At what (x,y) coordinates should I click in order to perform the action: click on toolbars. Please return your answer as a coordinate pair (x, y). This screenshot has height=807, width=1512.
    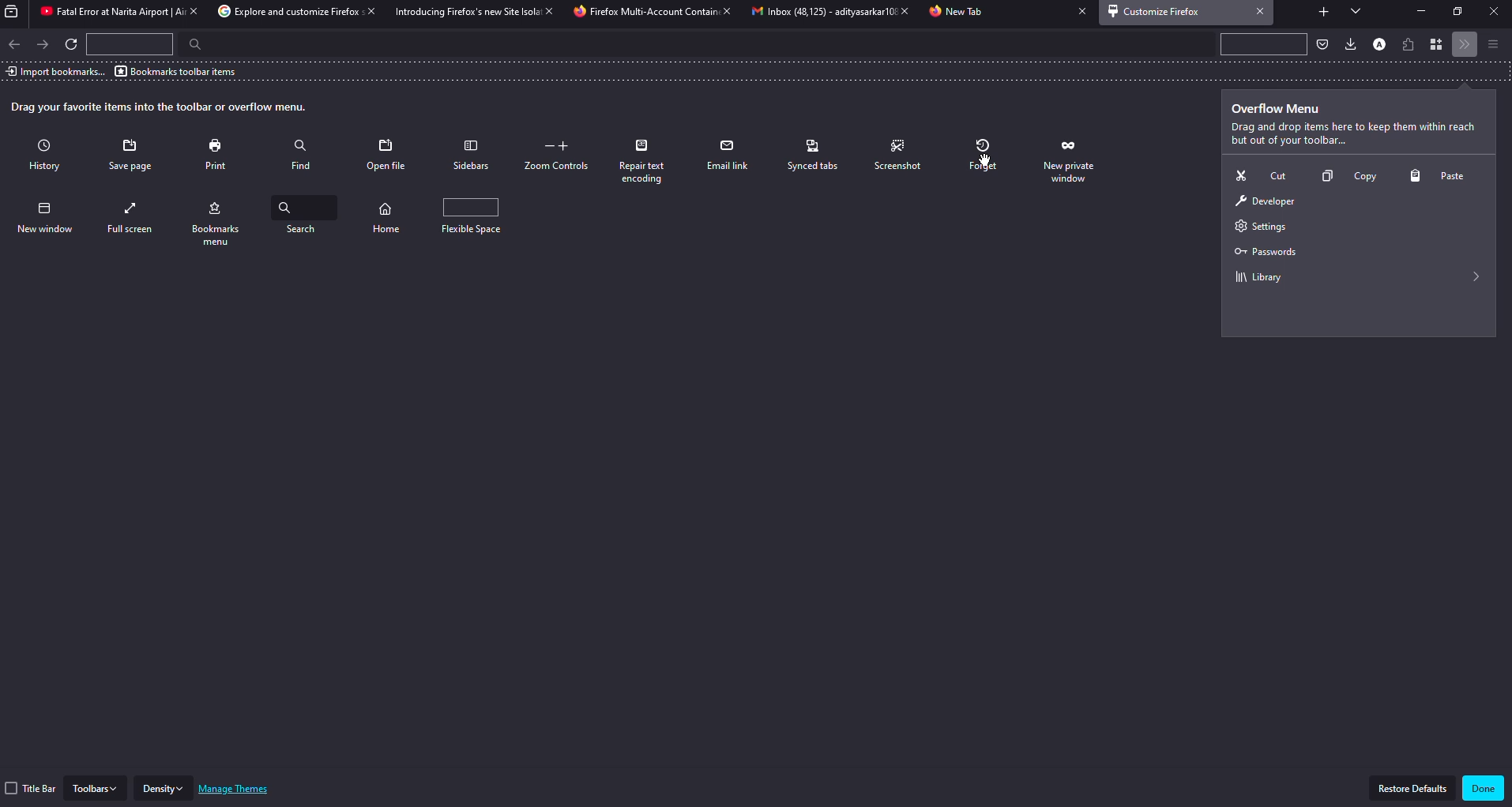
    Looking at the image, I should click on (96, 787).